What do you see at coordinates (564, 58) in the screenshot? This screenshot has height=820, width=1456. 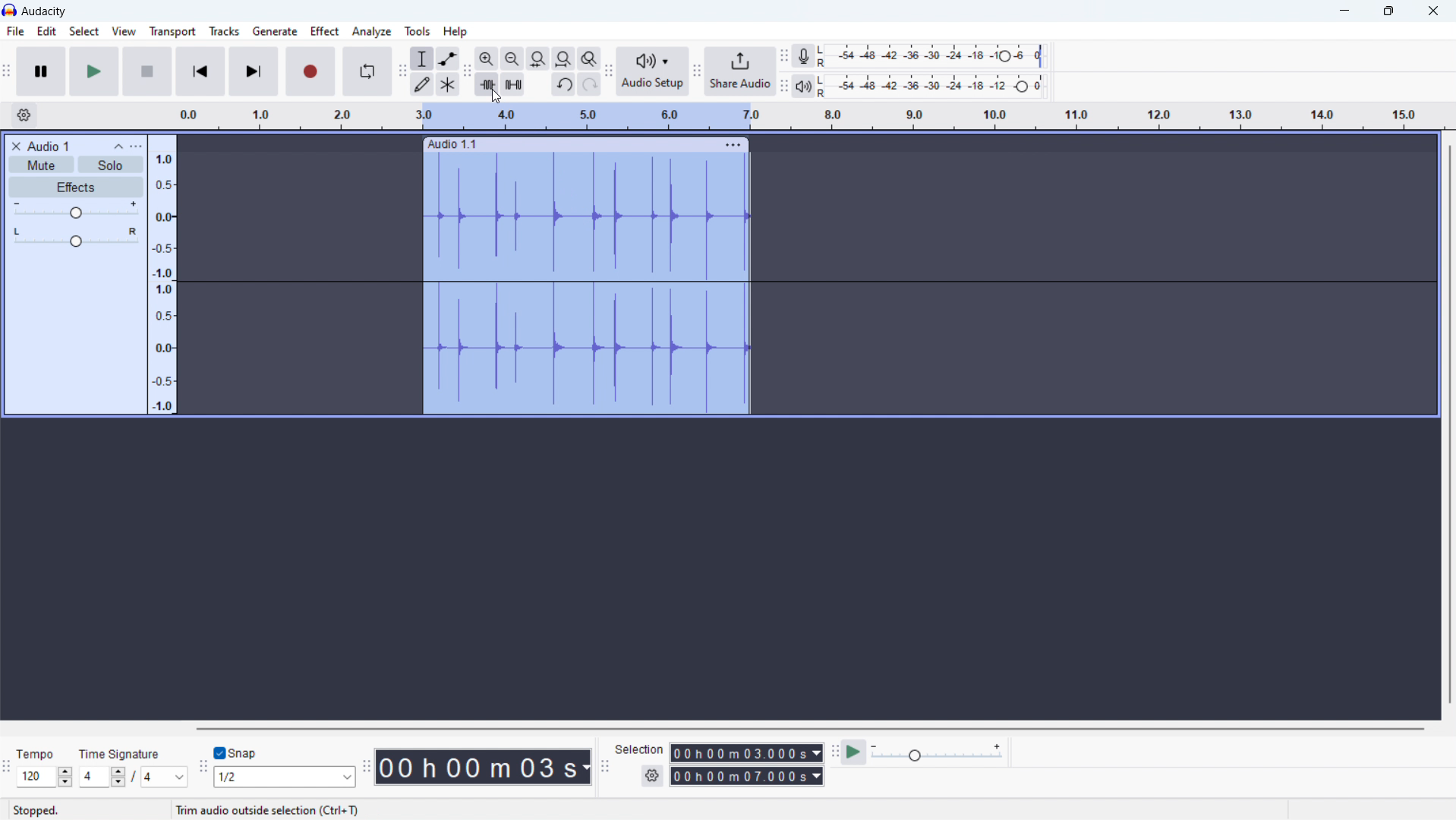 I see `fit project to width` at bounding box center [564, 58].